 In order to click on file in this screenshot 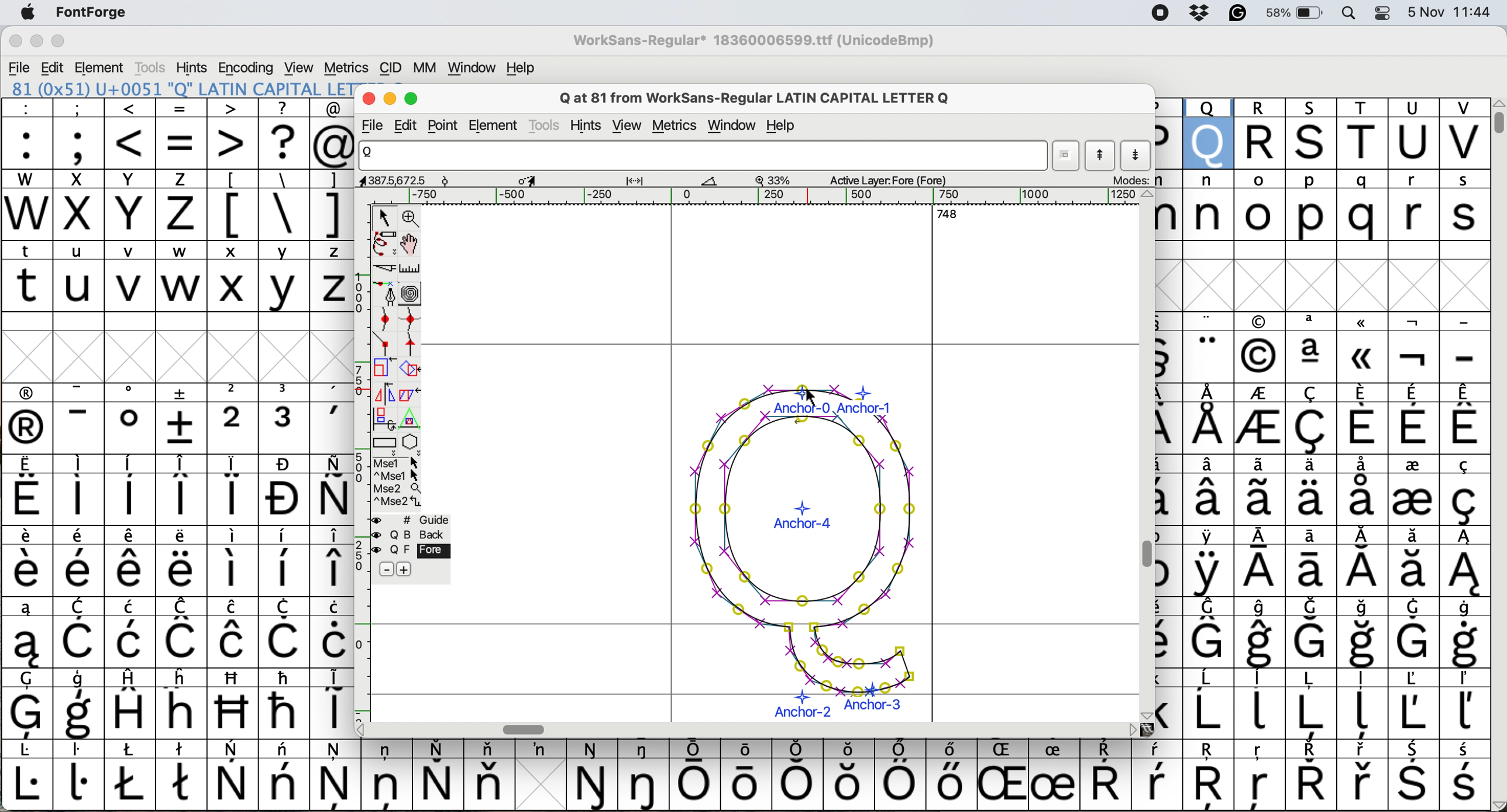, I will do `click(23, 65)`.